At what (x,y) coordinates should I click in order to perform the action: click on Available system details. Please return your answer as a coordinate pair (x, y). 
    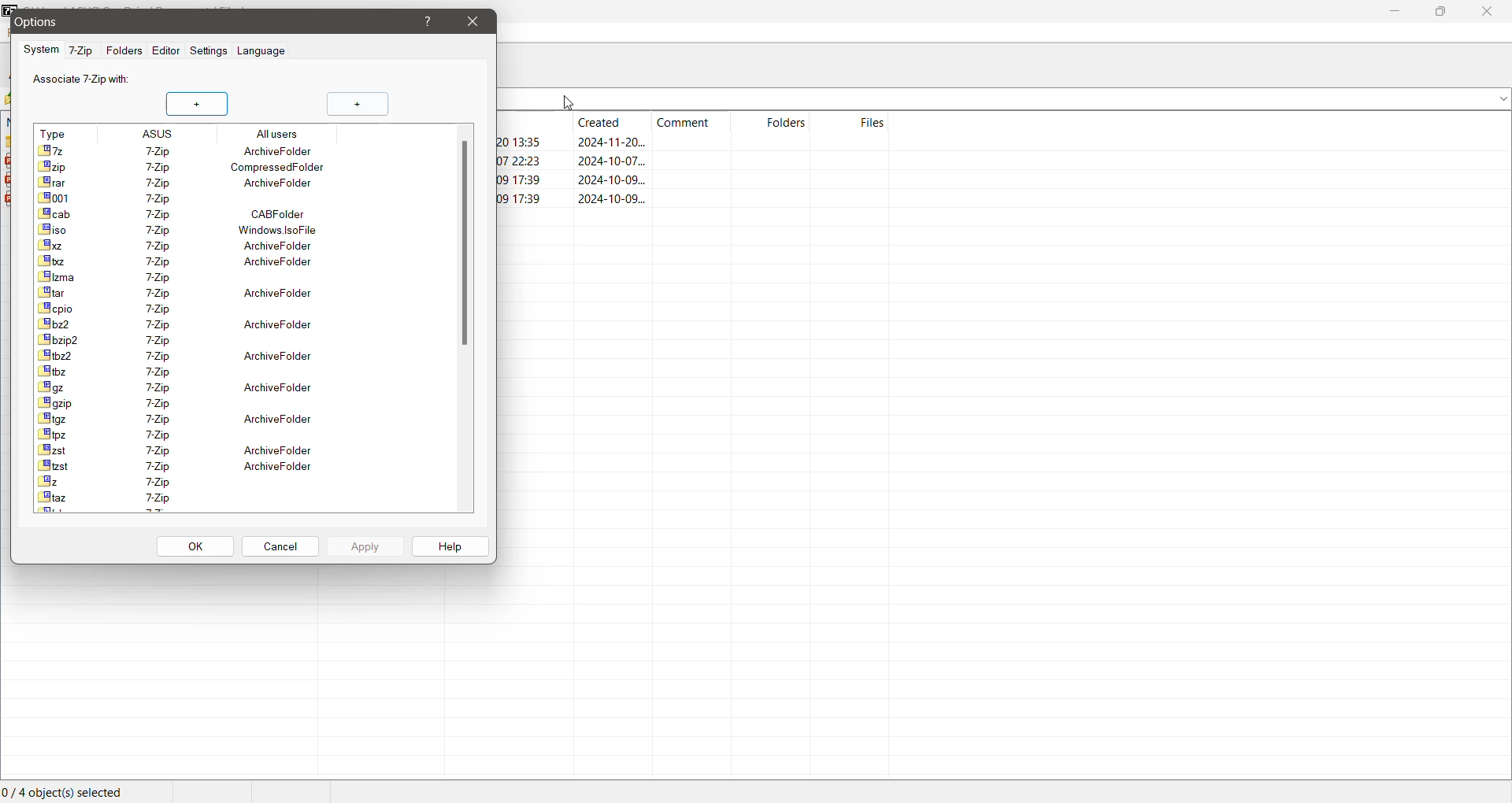
    Looking at the image, I should click on (183, 371).